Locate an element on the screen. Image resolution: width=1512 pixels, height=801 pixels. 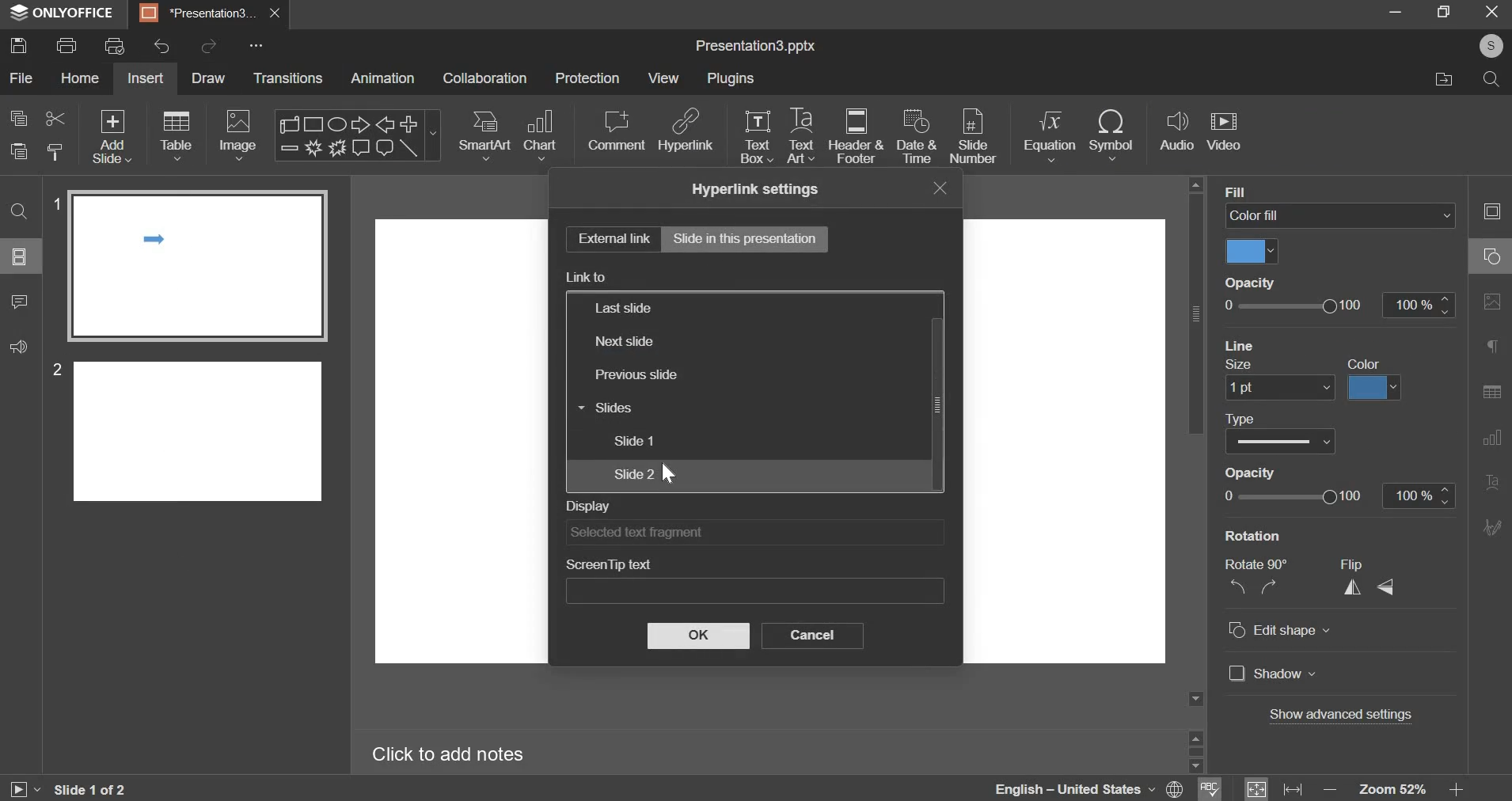
slide 2 preview is located at coordinates (199, 429).